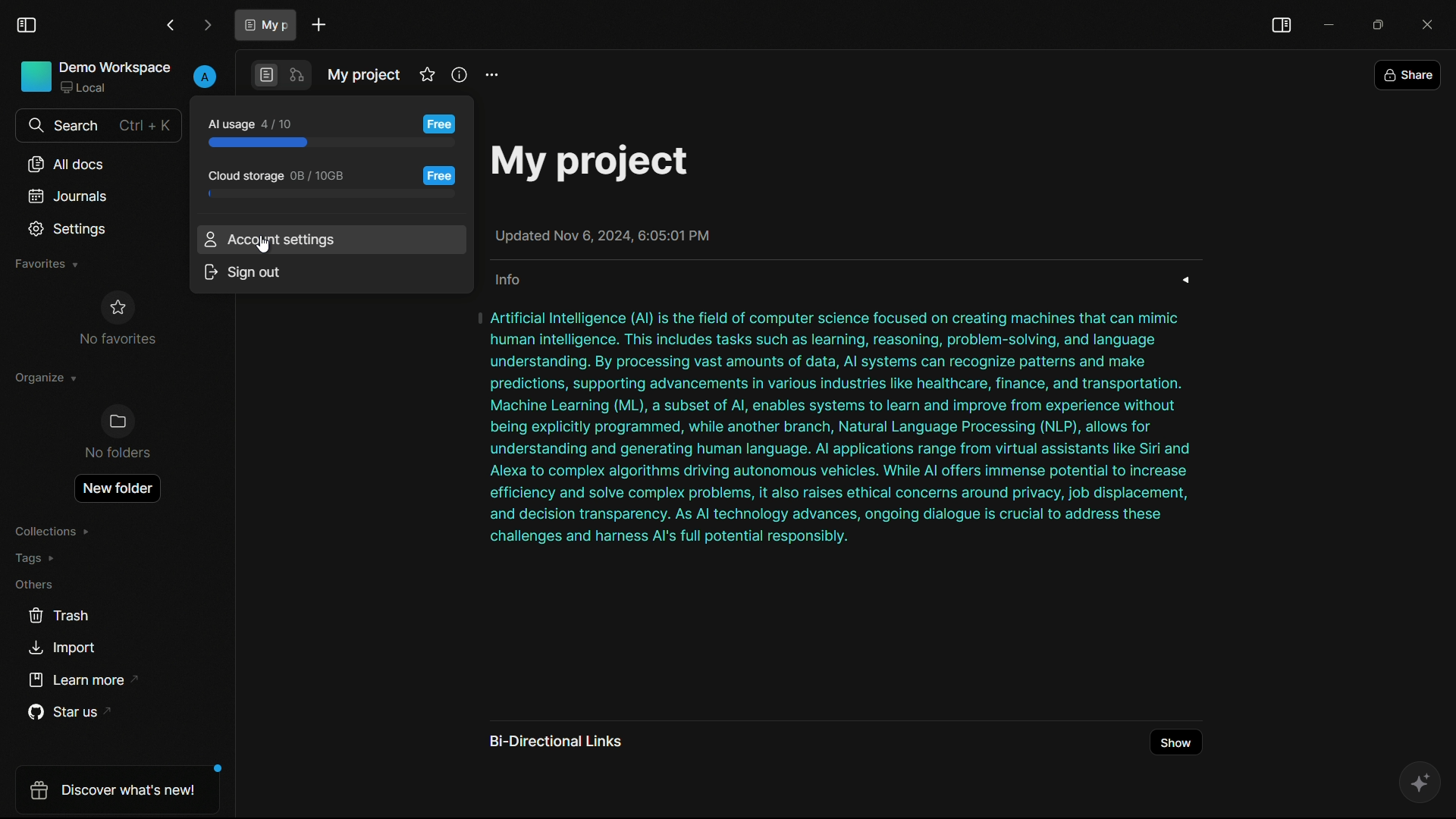 The width and height of the screenshot is (1456, 819). I want to click on toggle sidebar, so click(28, 26).